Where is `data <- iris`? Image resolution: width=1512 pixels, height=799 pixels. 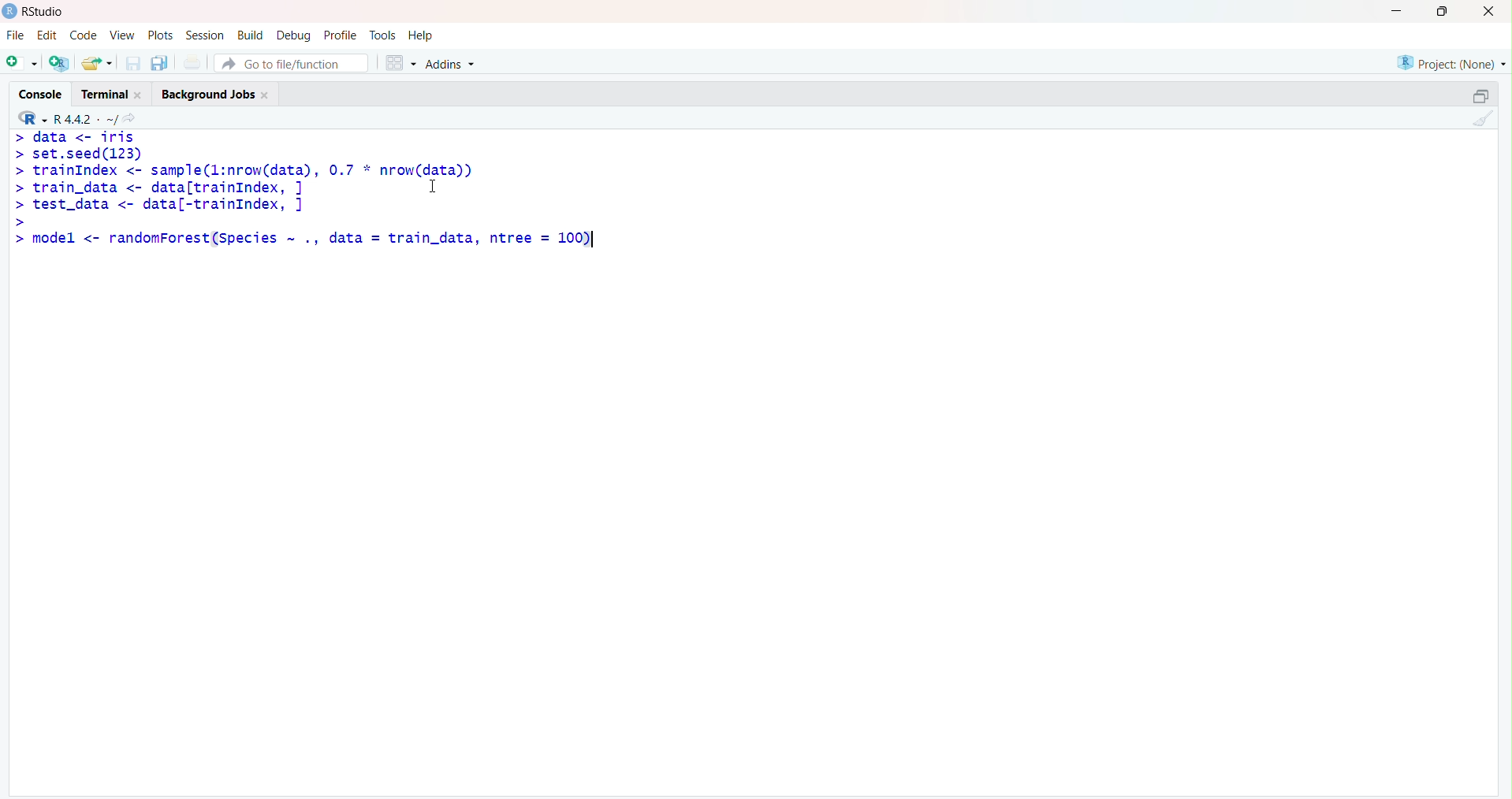
data <- iris is located at coordinates (85, 136).